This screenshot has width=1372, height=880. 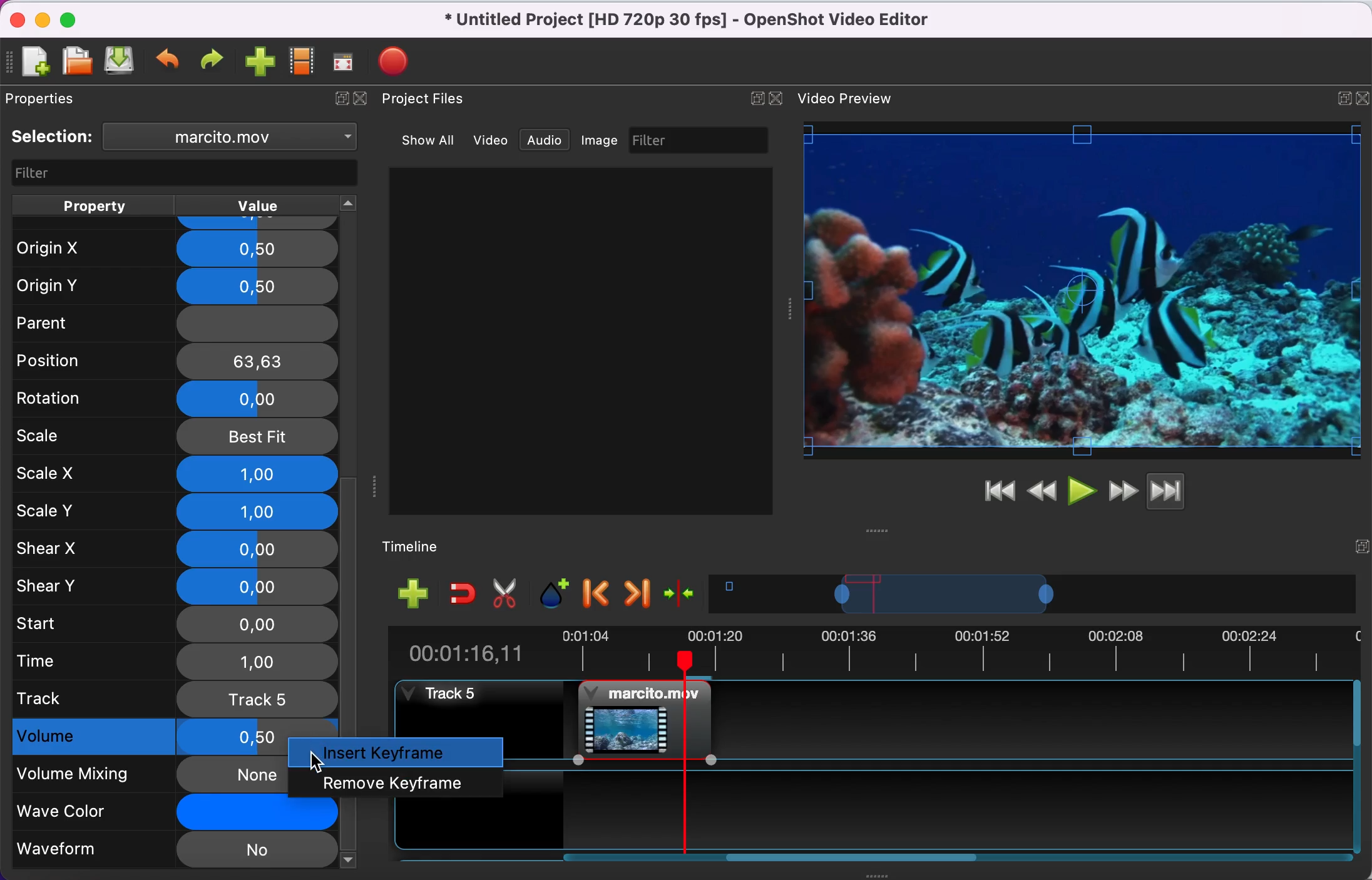 I want to click on time 1, so click(x=176, y=661).